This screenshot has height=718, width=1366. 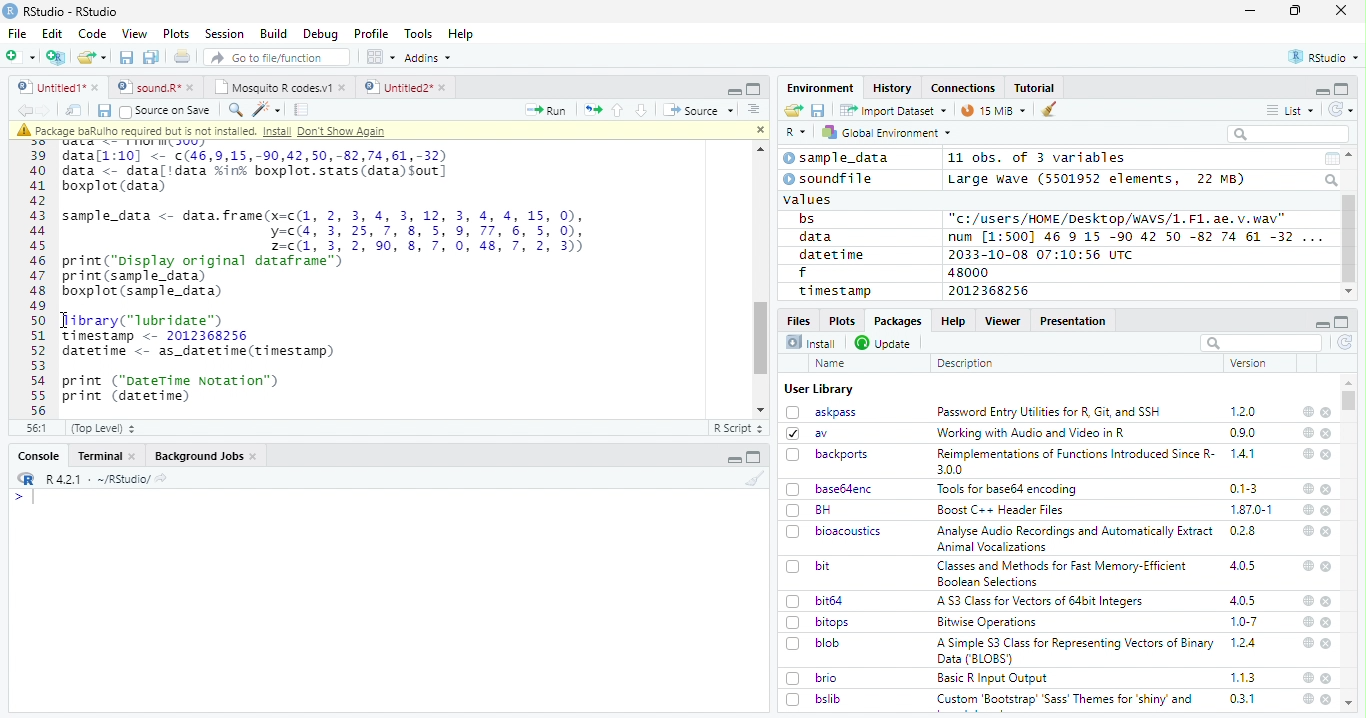 What do you see at coordinates (832, 364) in the screenshot?
I see `Name` at bounding box center [832, 364].